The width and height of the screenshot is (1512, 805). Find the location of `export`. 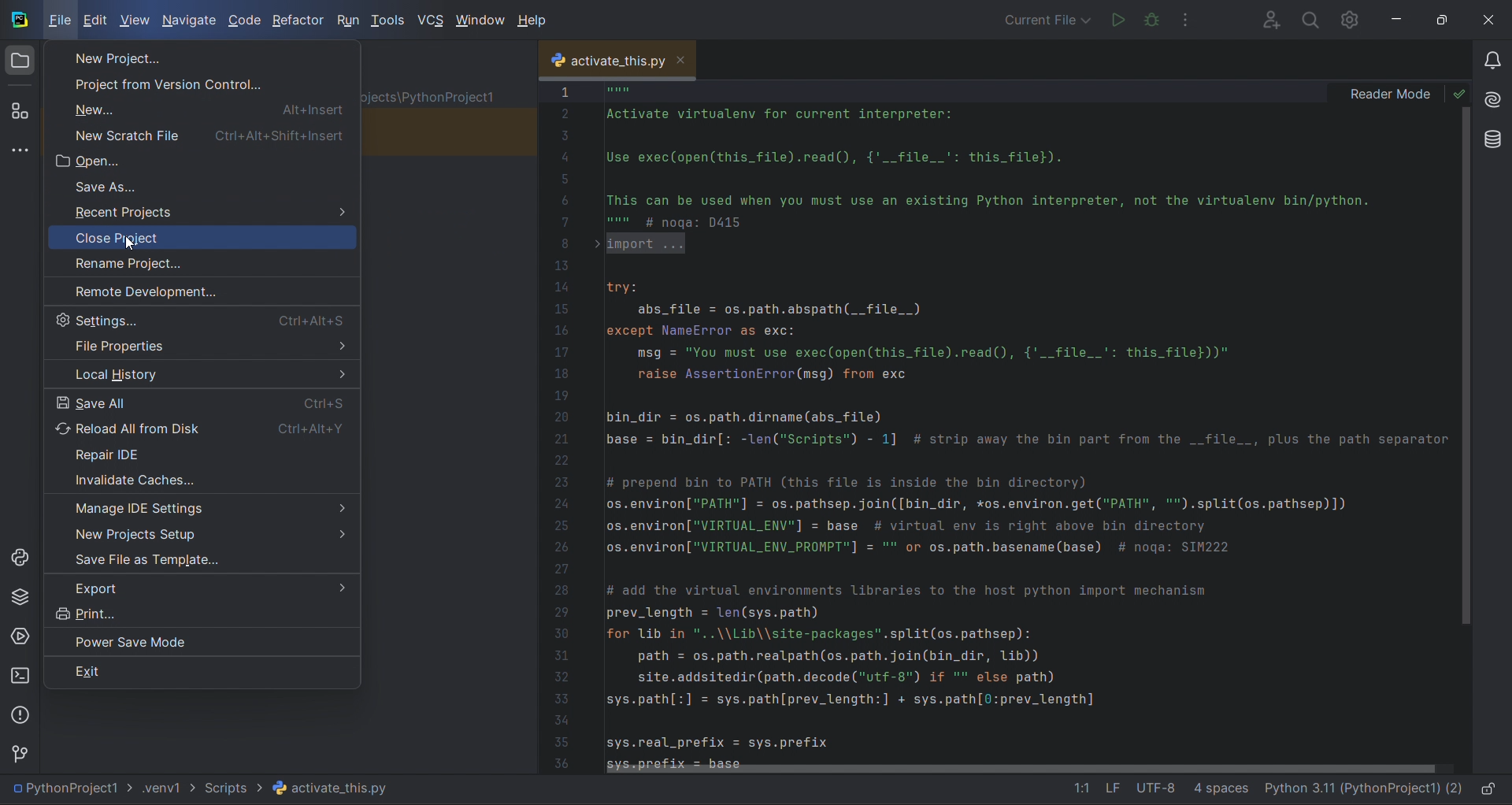

export is located at coordinates (198, 585).